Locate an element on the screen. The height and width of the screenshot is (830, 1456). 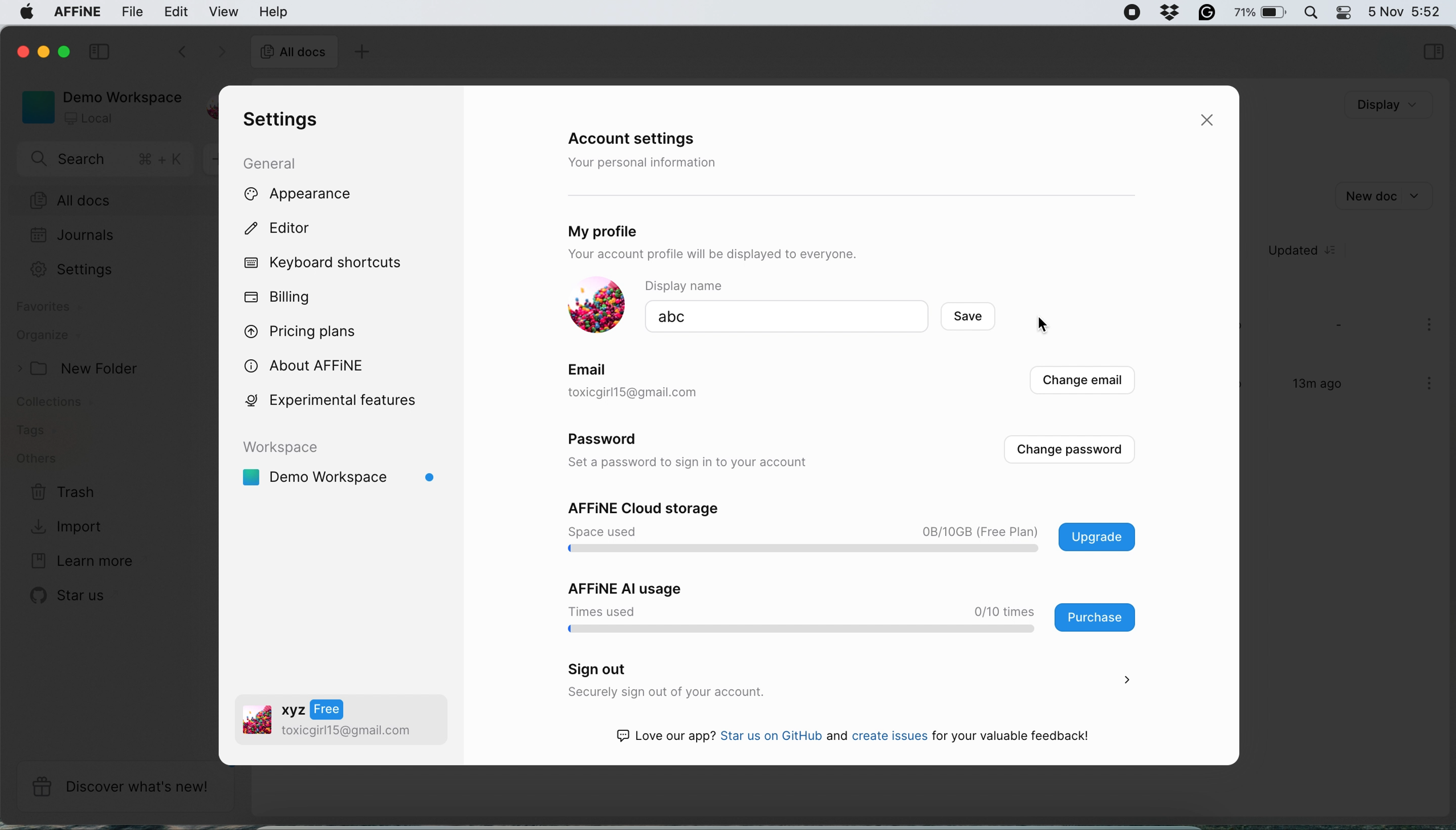
settings is located at coordinates (277, 120).